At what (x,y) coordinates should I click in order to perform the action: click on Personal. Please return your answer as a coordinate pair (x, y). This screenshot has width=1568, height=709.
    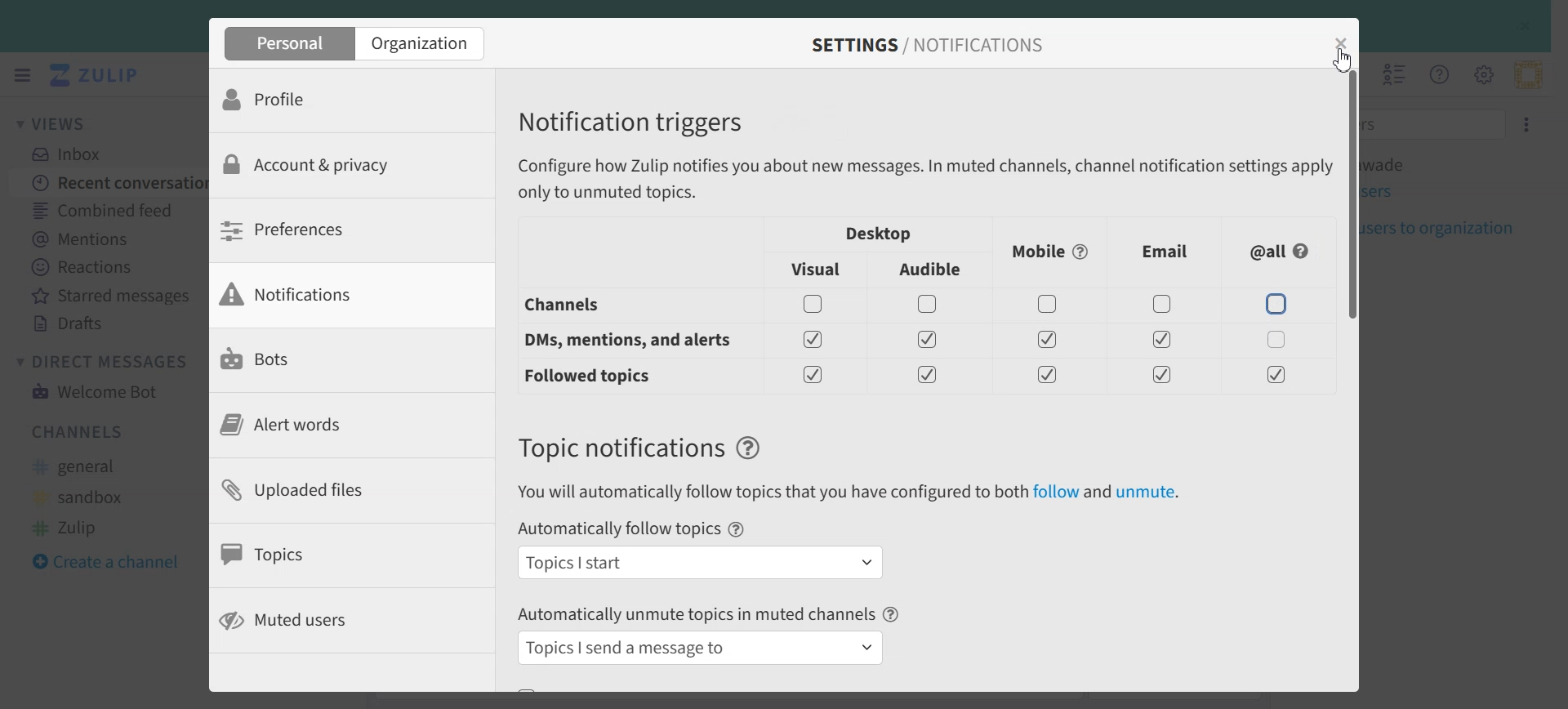
    Looking at the image, I should click on (287, 43).